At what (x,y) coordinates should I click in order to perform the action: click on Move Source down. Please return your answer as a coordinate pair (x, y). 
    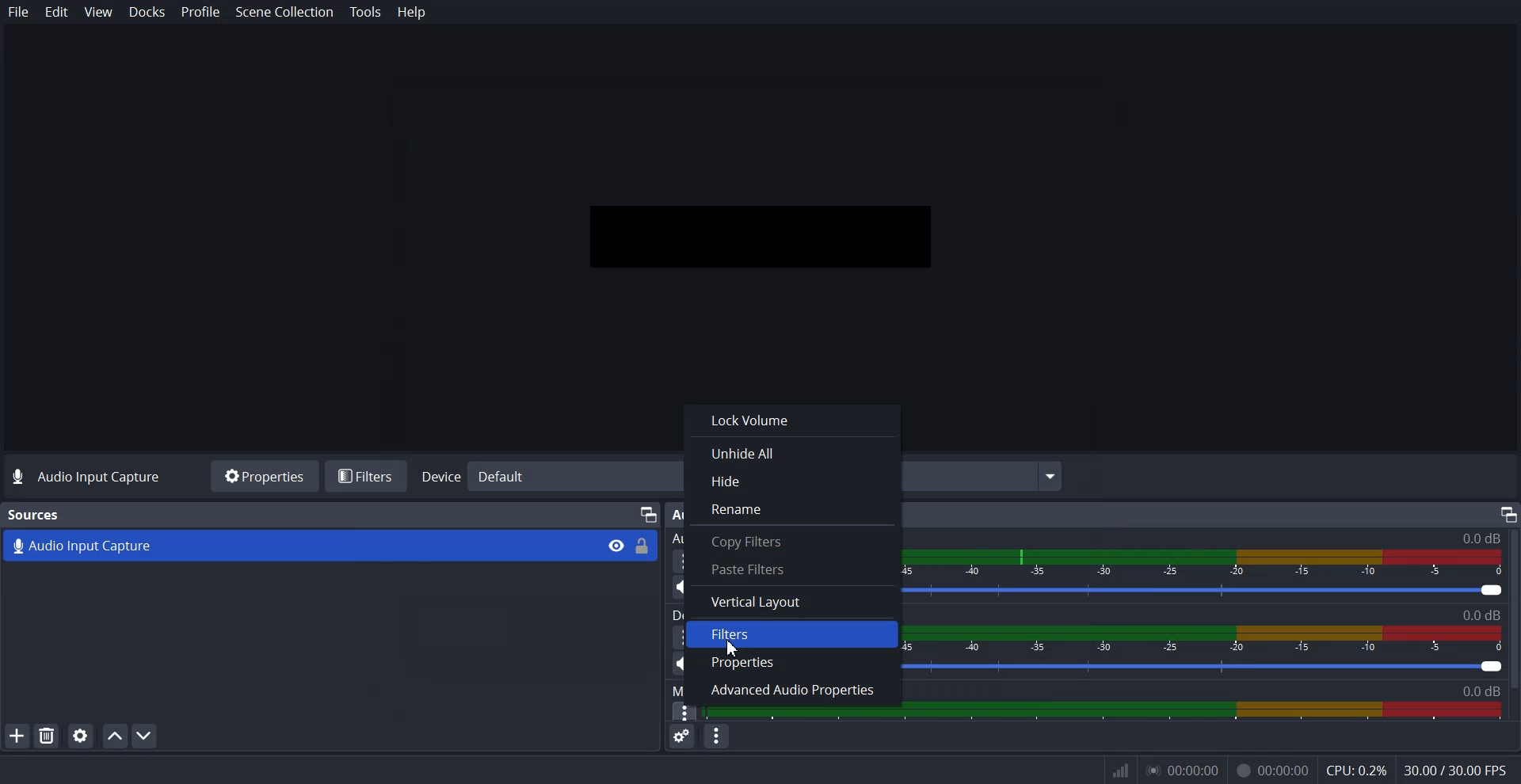
    Looking at the image, I should click on (145, 735).